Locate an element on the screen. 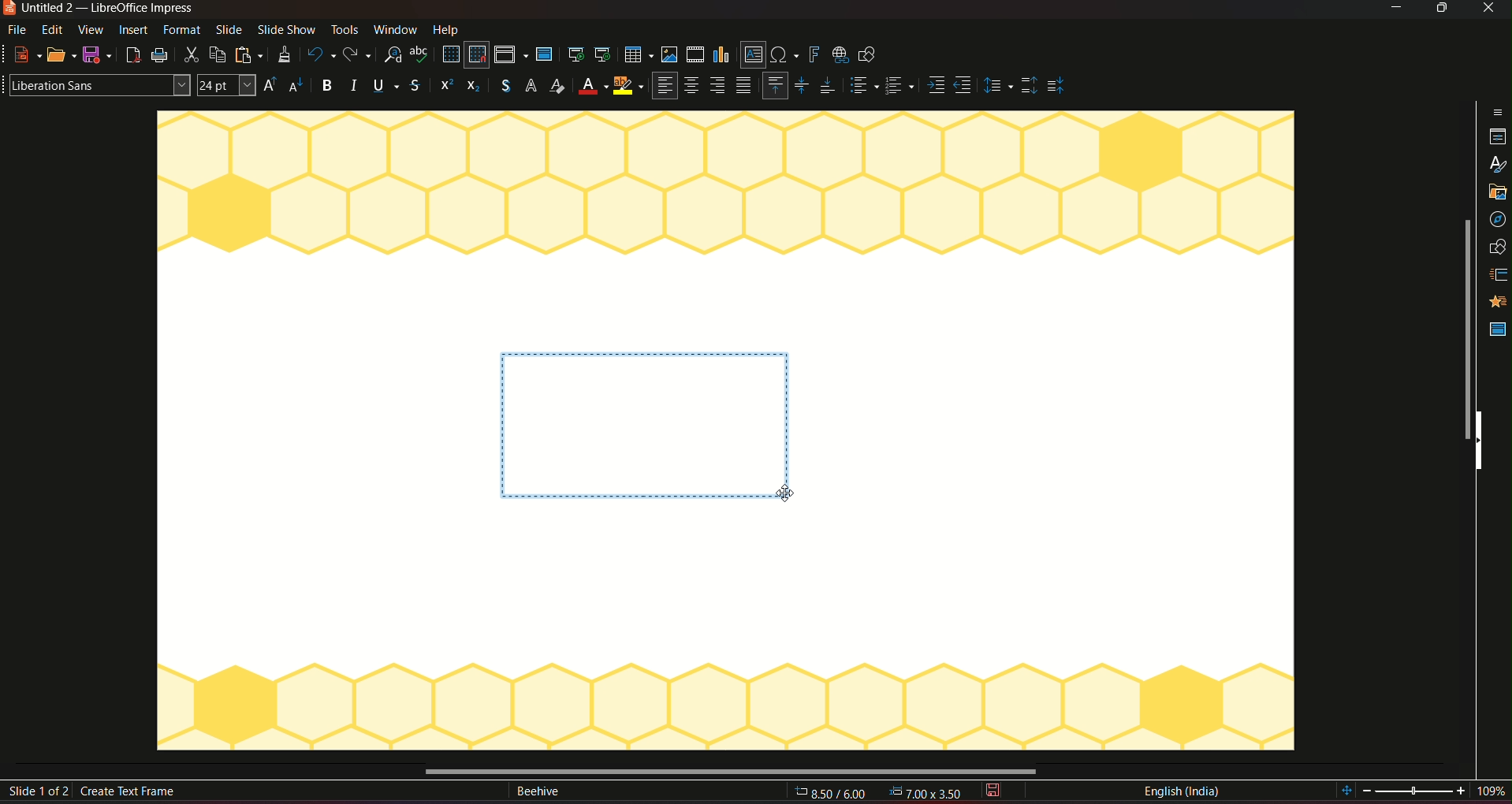 The width and height of the screenshot is (1512, 804). animation is located at coordinates (1497, 270).